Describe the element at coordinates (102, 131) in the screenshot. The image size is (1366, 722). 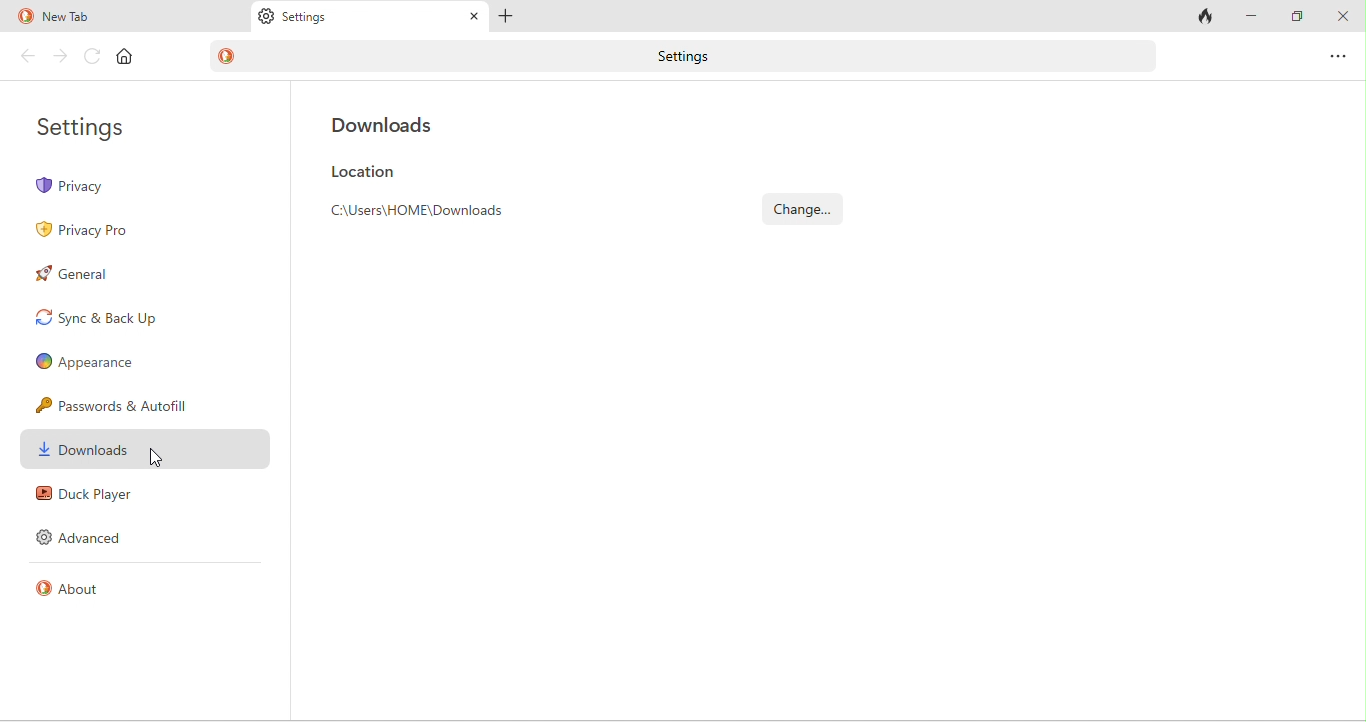
I see `settings` at that location.